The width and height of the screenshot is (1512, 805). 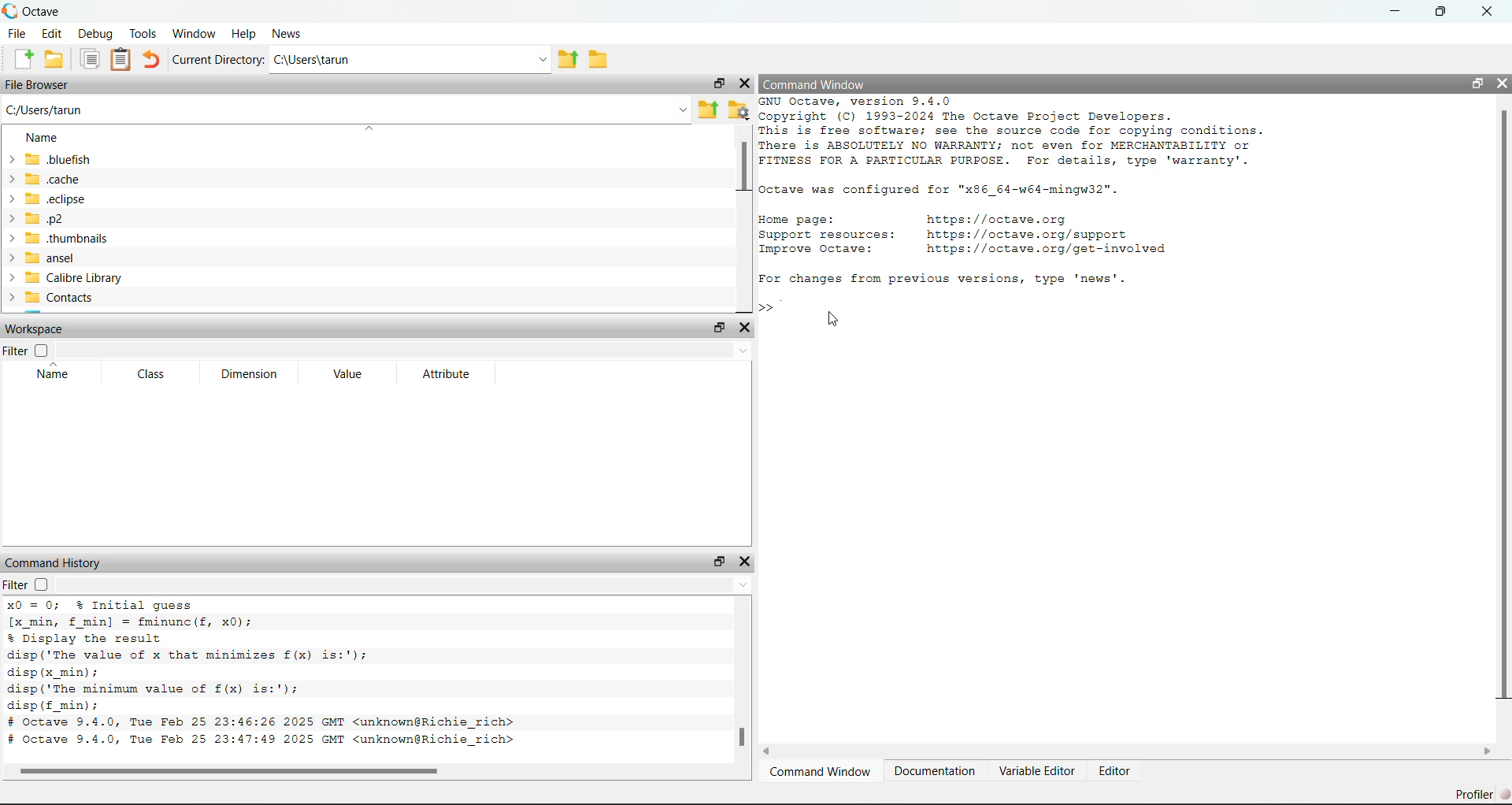 I want to click on Scrollbar, so click(x=241, y=769).